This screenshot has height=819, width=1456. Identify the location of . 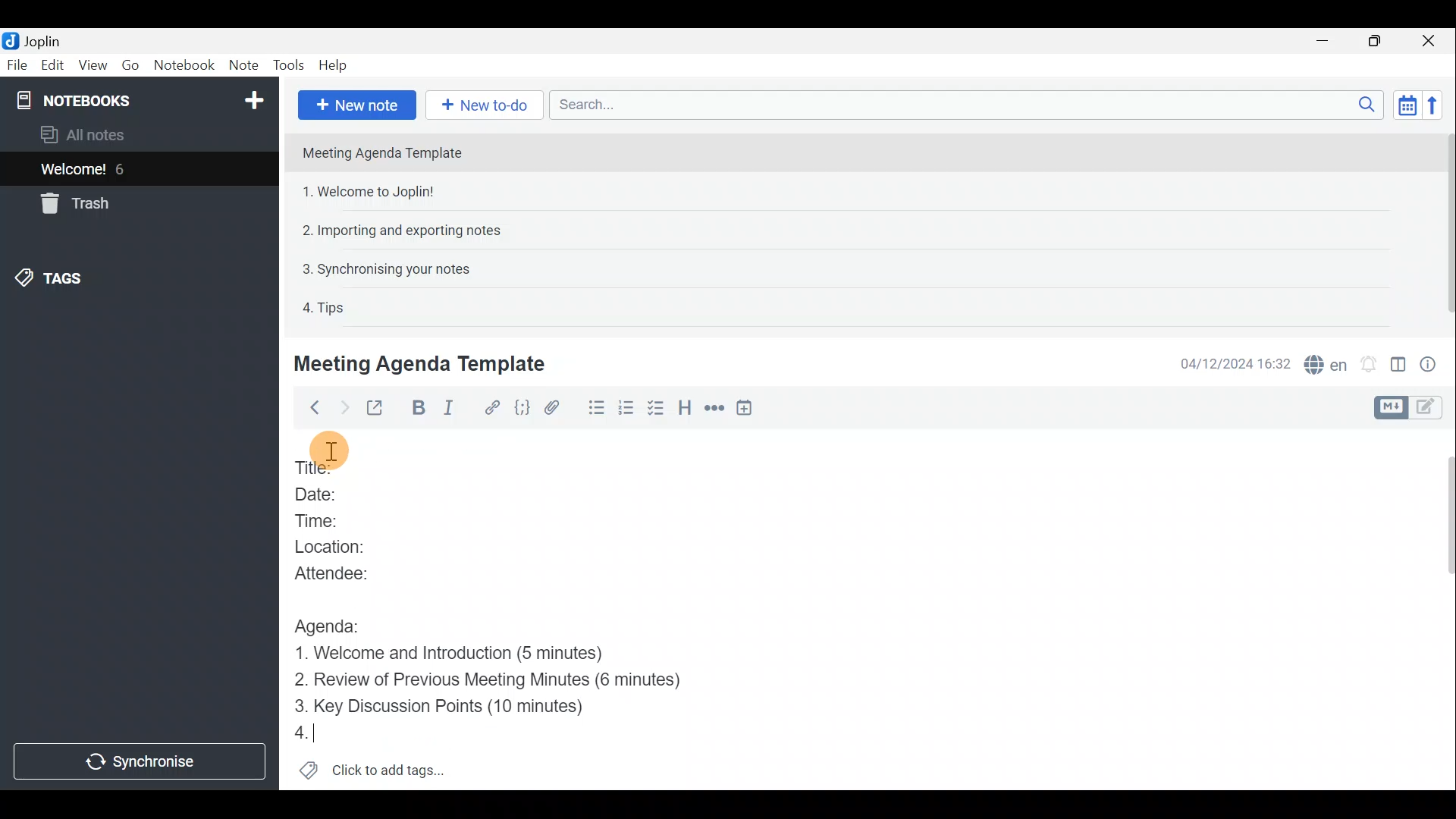
(334, 450).